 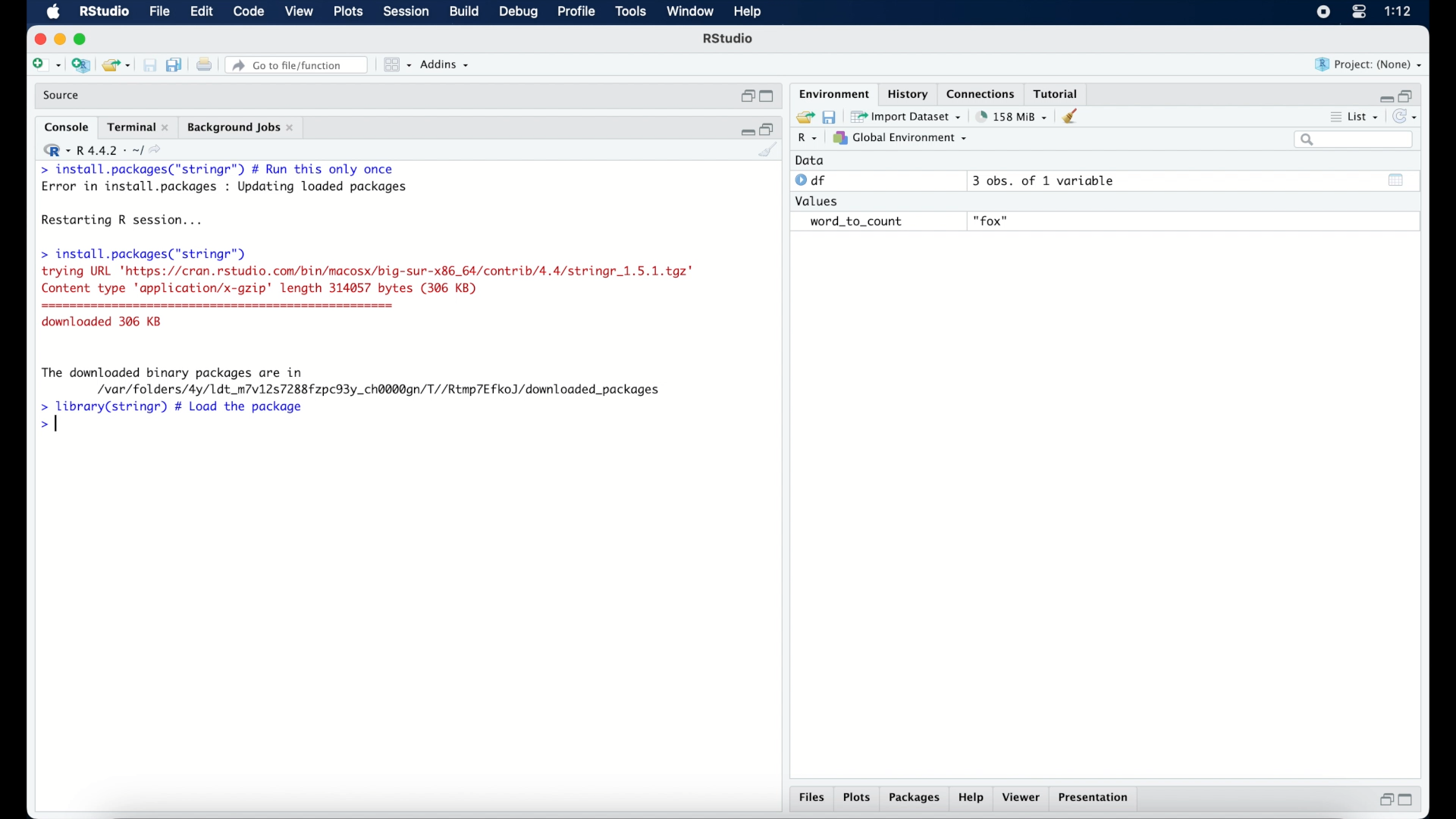 I want to click on code, so click(x=249, y=12).